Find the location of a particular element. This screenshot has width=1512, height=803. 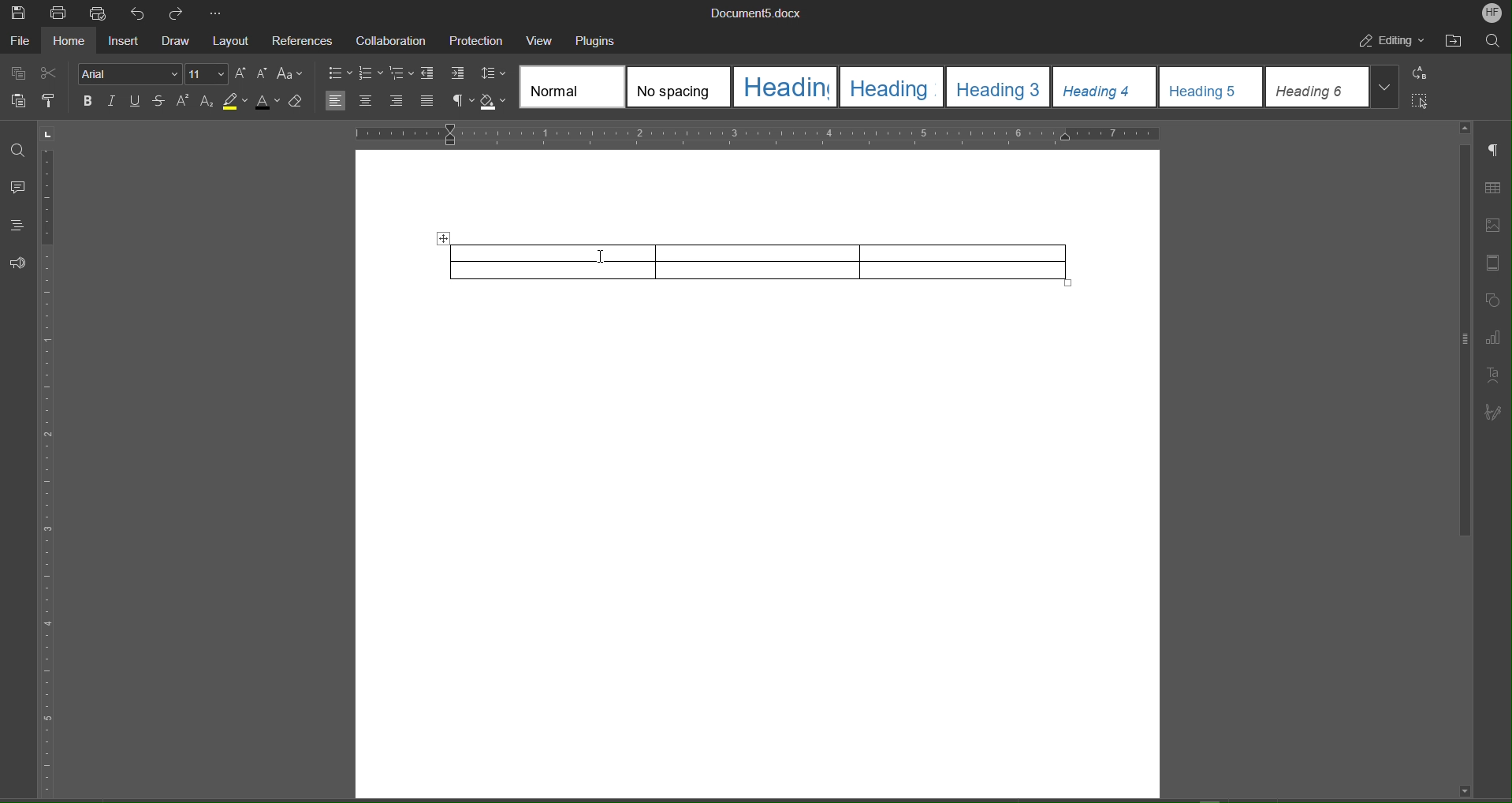

heading 2 is located at coordinates (894, 88).